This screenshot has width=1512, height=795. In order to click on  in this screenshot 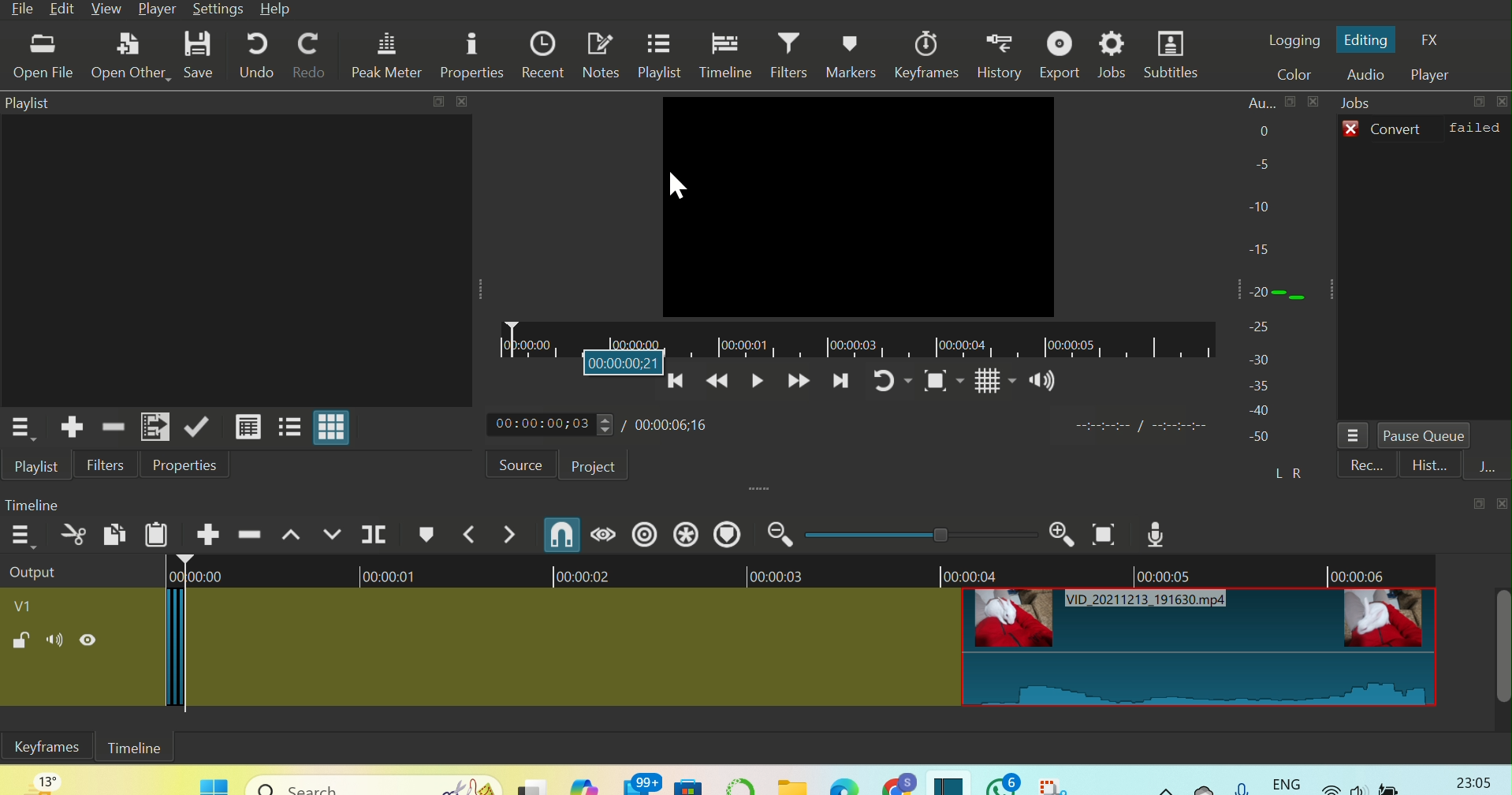, I will do `click(940, 535)`.